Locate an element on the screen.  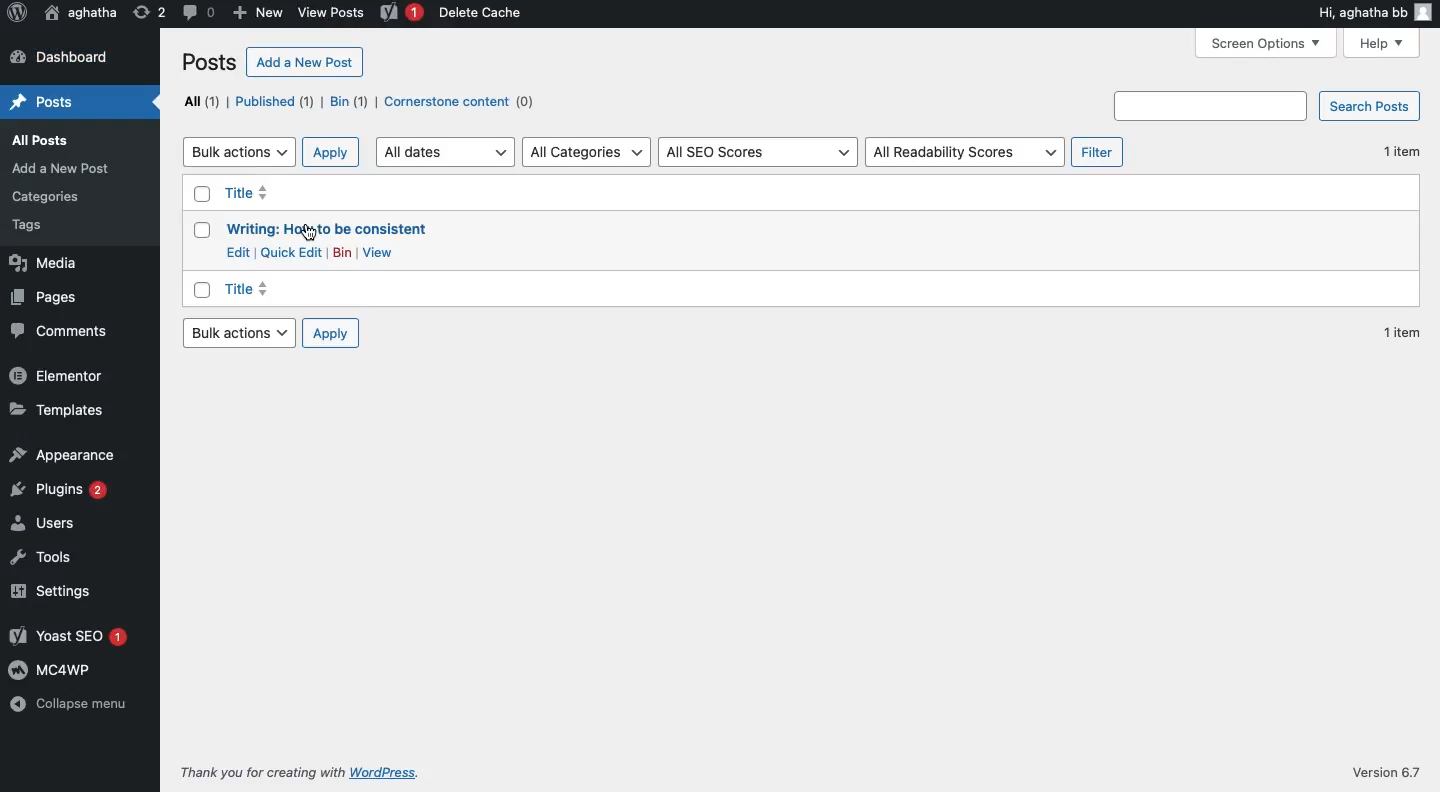
Bulk actions is located at coordinates (235, 152).